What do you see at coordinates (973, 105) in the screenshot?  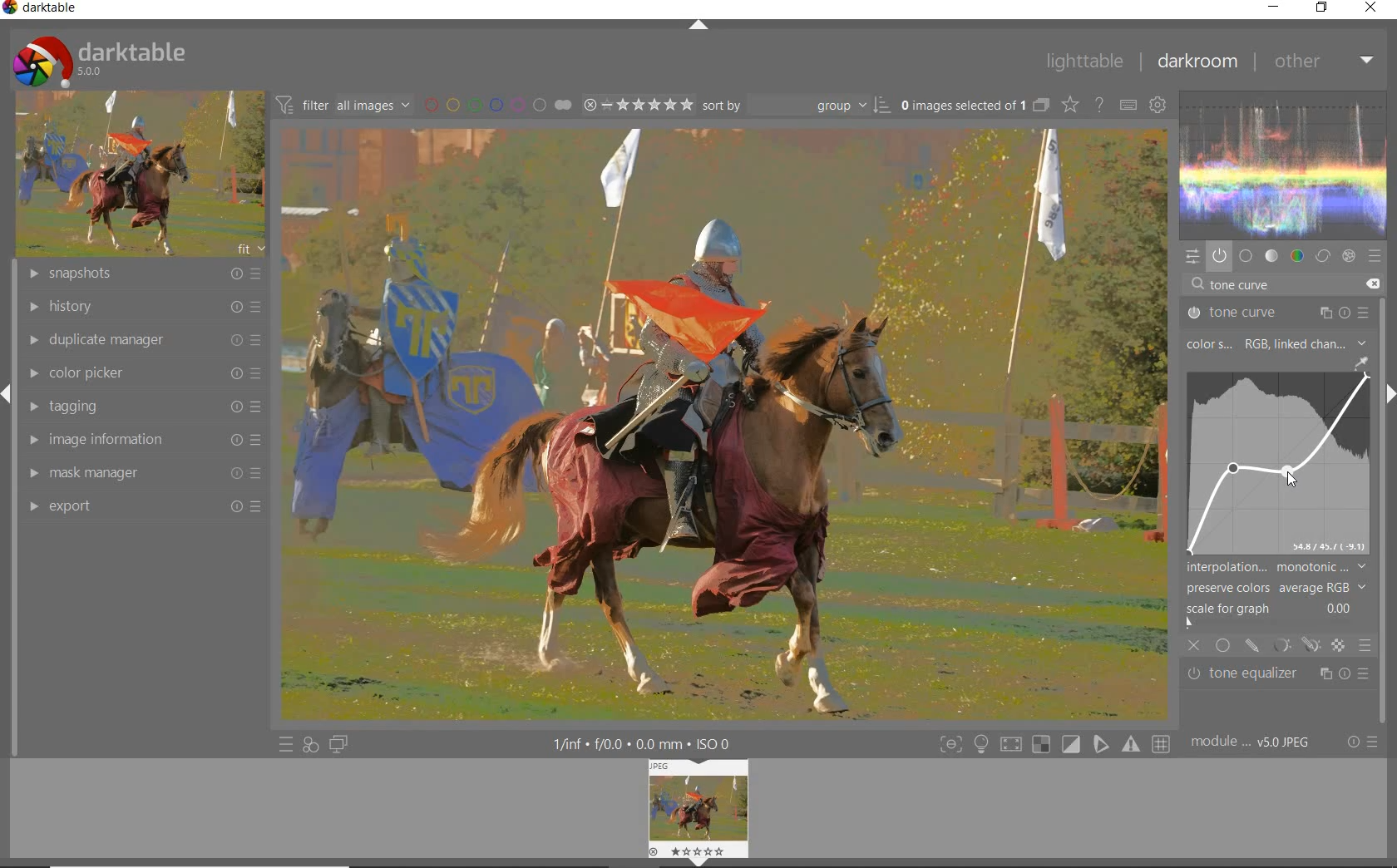 I see `0 images (#.... lected of 1)` at bounding box center [973, 105].